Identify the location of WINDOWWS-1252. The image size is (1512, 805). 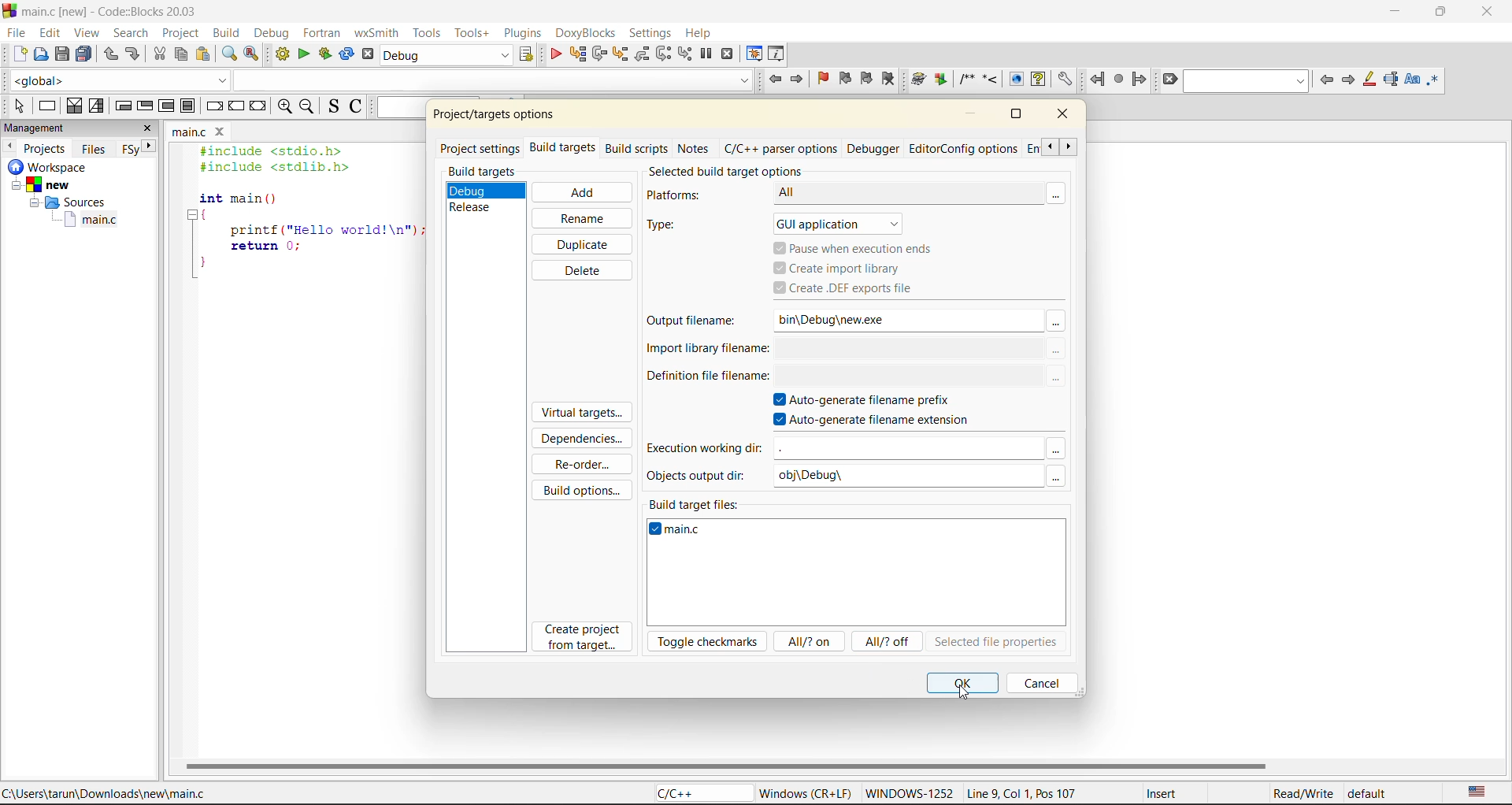
(912, 792).